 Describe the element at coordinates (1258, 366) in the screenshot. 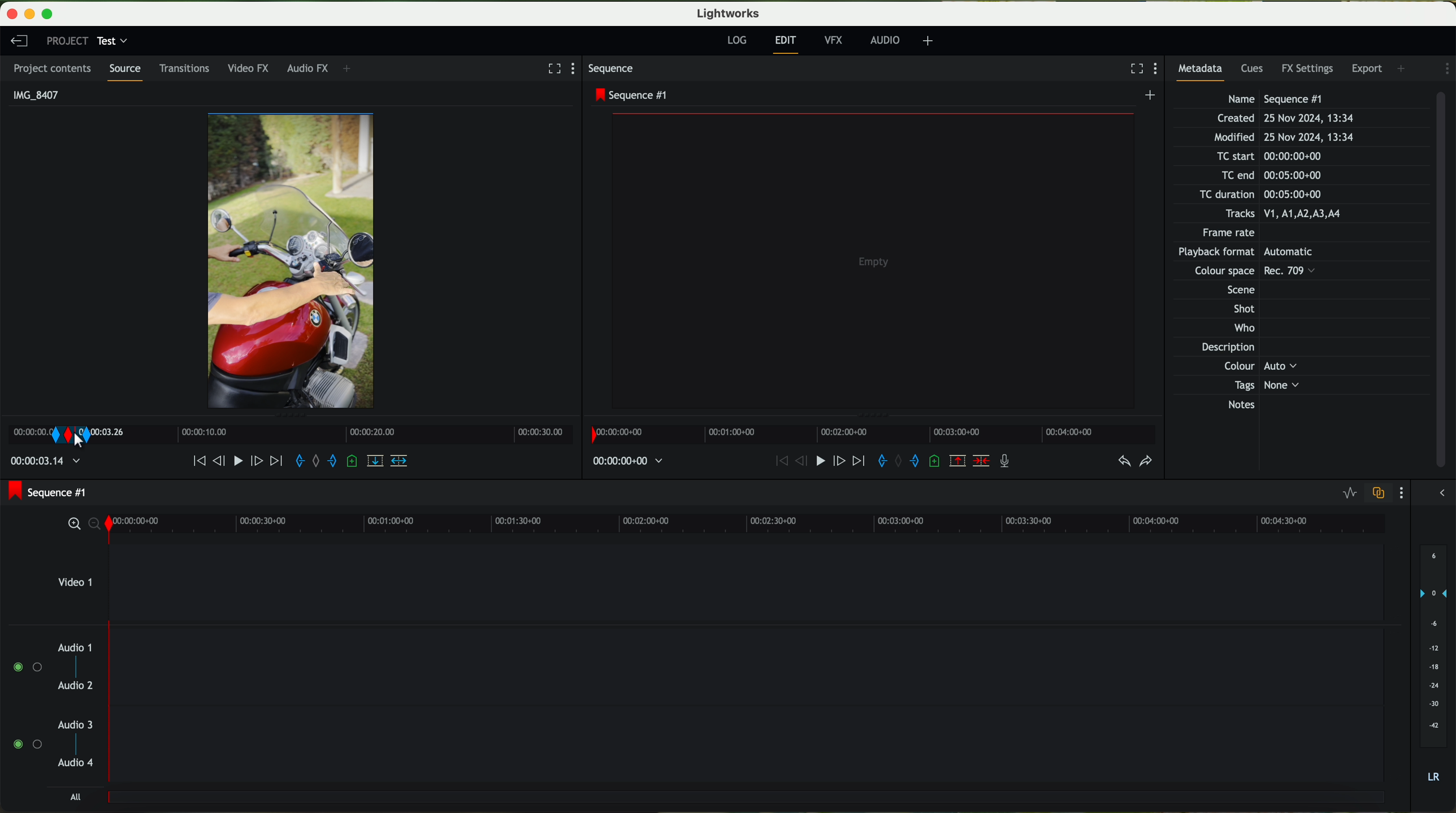

I see `` at that location.